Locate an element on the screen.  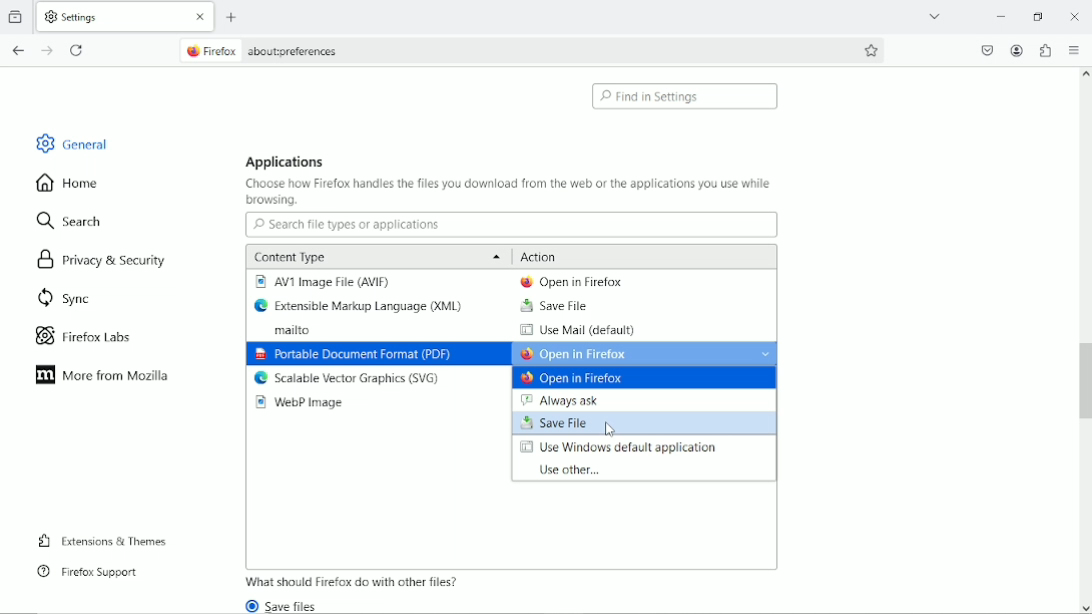
find in settings is located at coordinates (687, 96).